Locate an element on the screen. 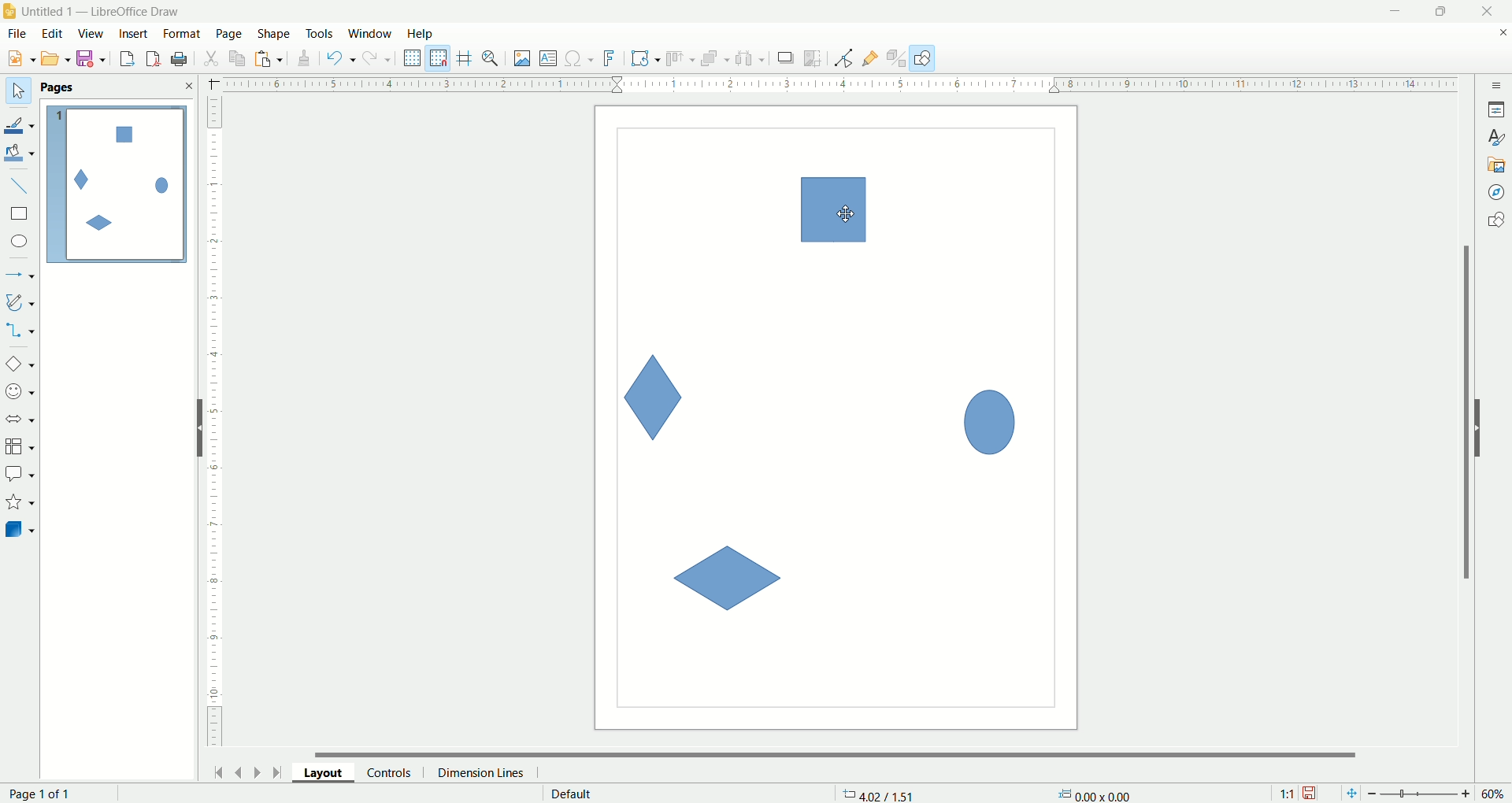  navigator is located at coordinates (1497, 193).